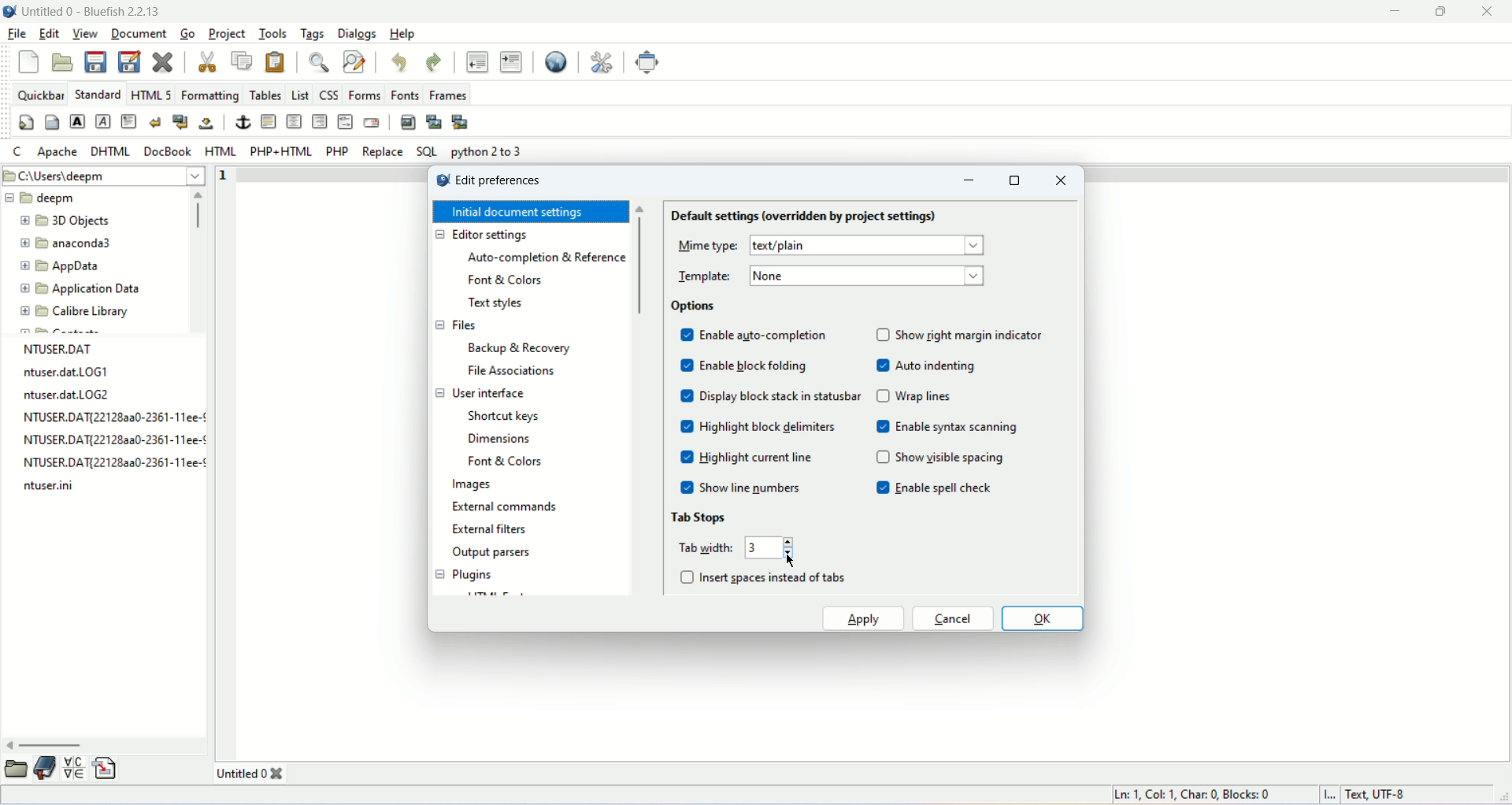  What do you see at coordinates (649, 64) in the screenshot?
I see `fullscreen` at bounding box center [649, 64].